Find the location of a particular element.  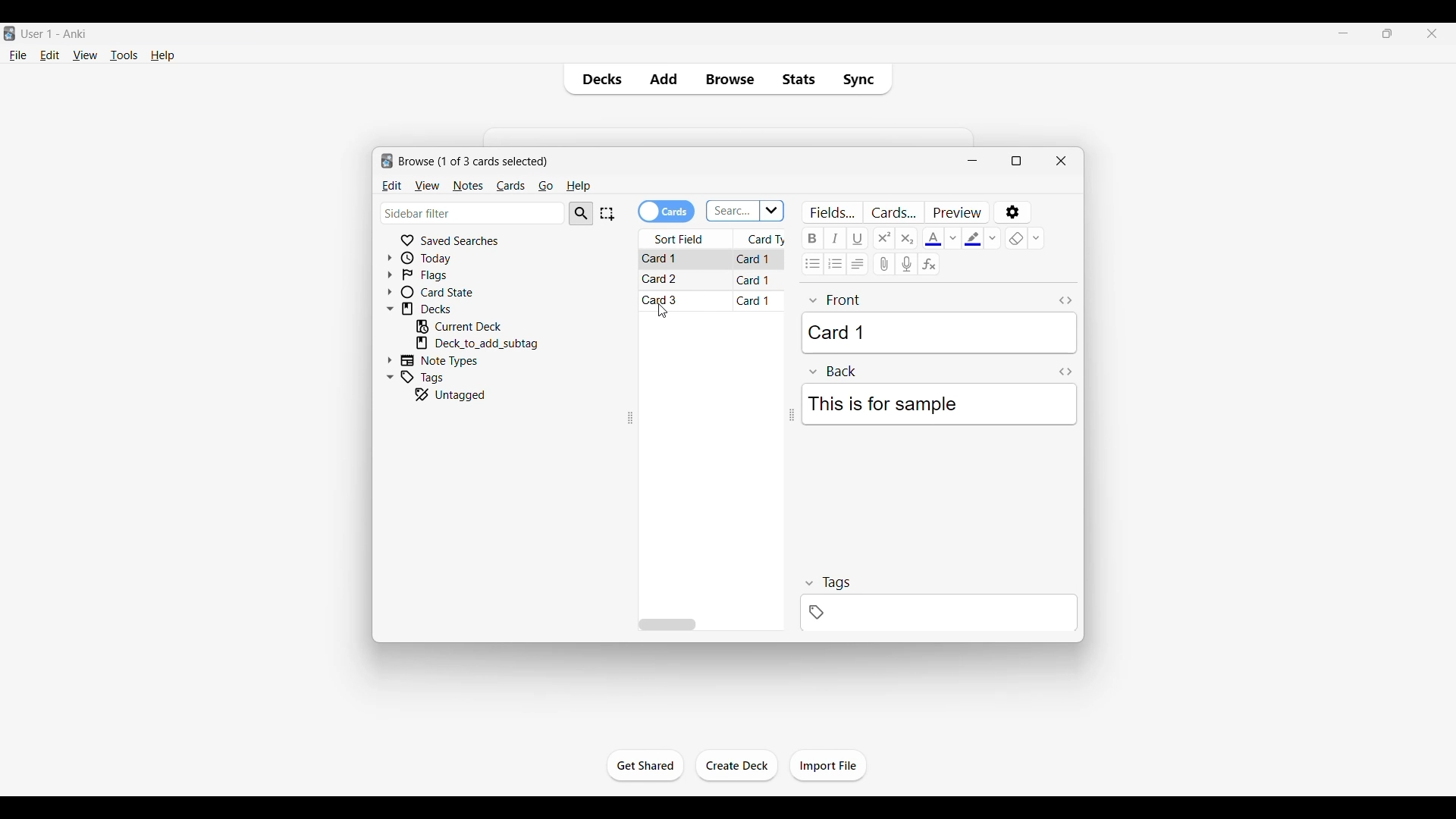

Card 1 is located at coordinates (666, 260).